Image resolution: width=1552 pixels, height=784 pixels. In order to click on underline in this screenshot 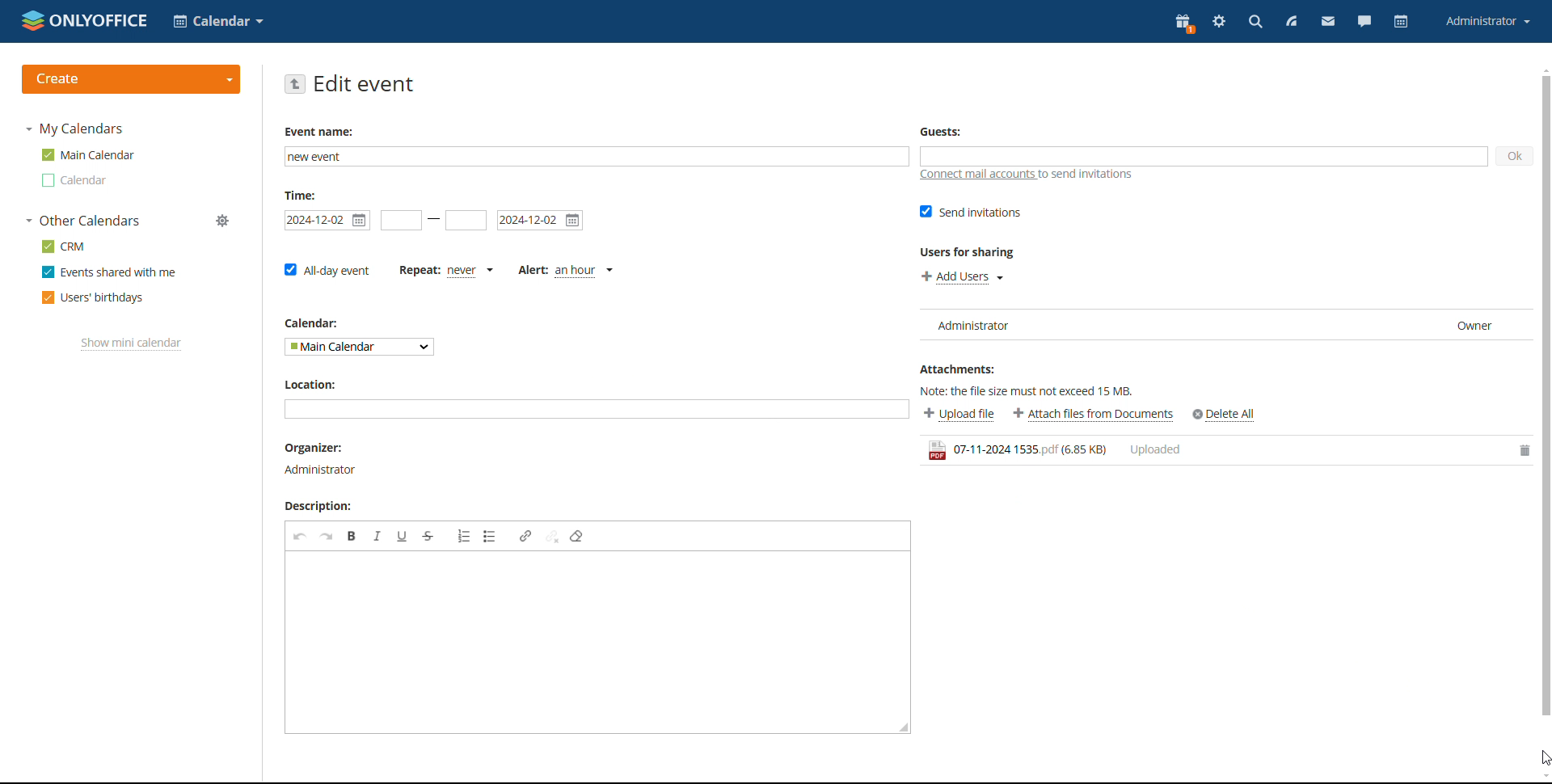, I will do `click(403, 536)`.